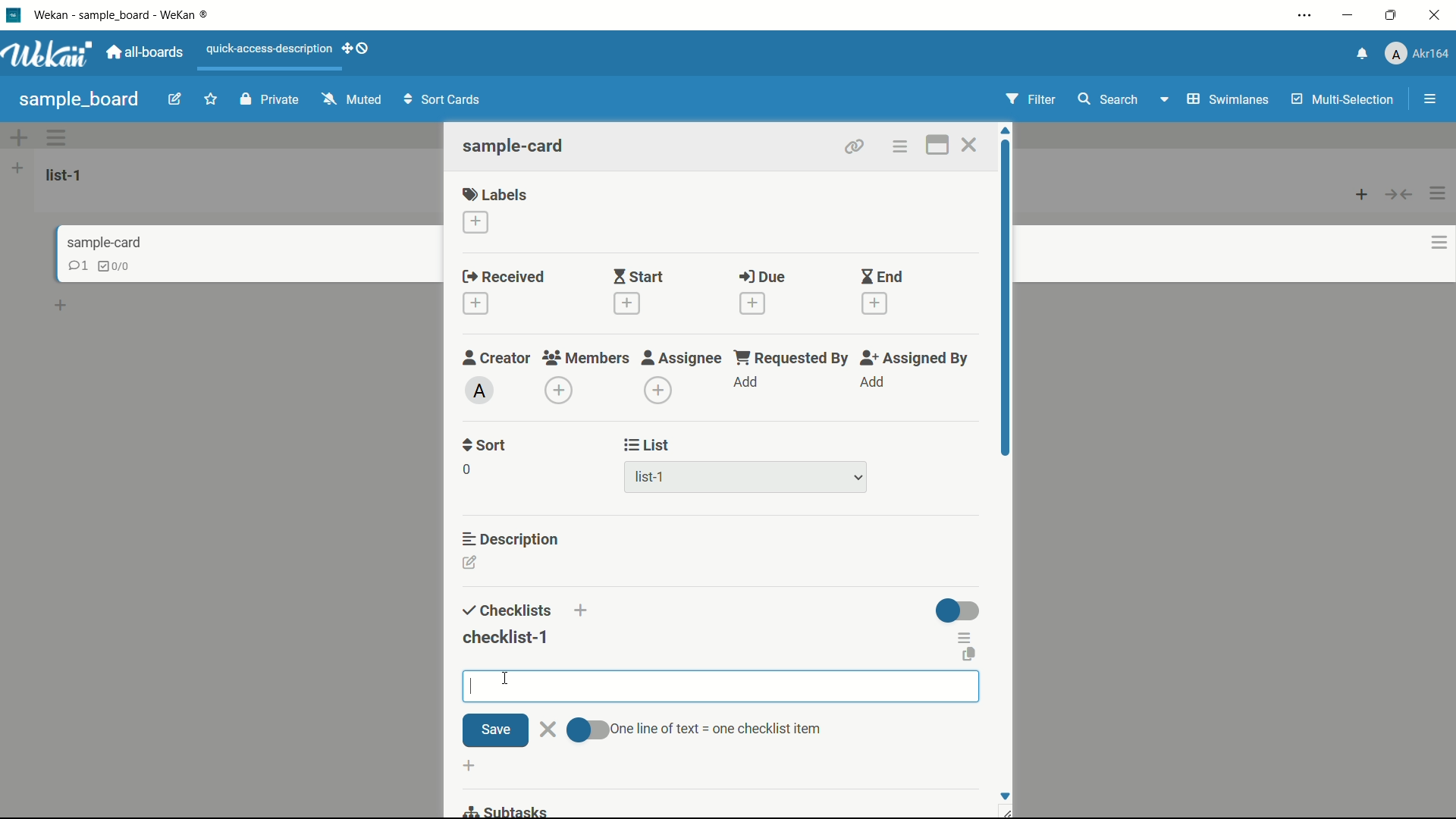 The height and width of the screenshot is (819, 1456). I want to click on toggle button, so click(585, 731).